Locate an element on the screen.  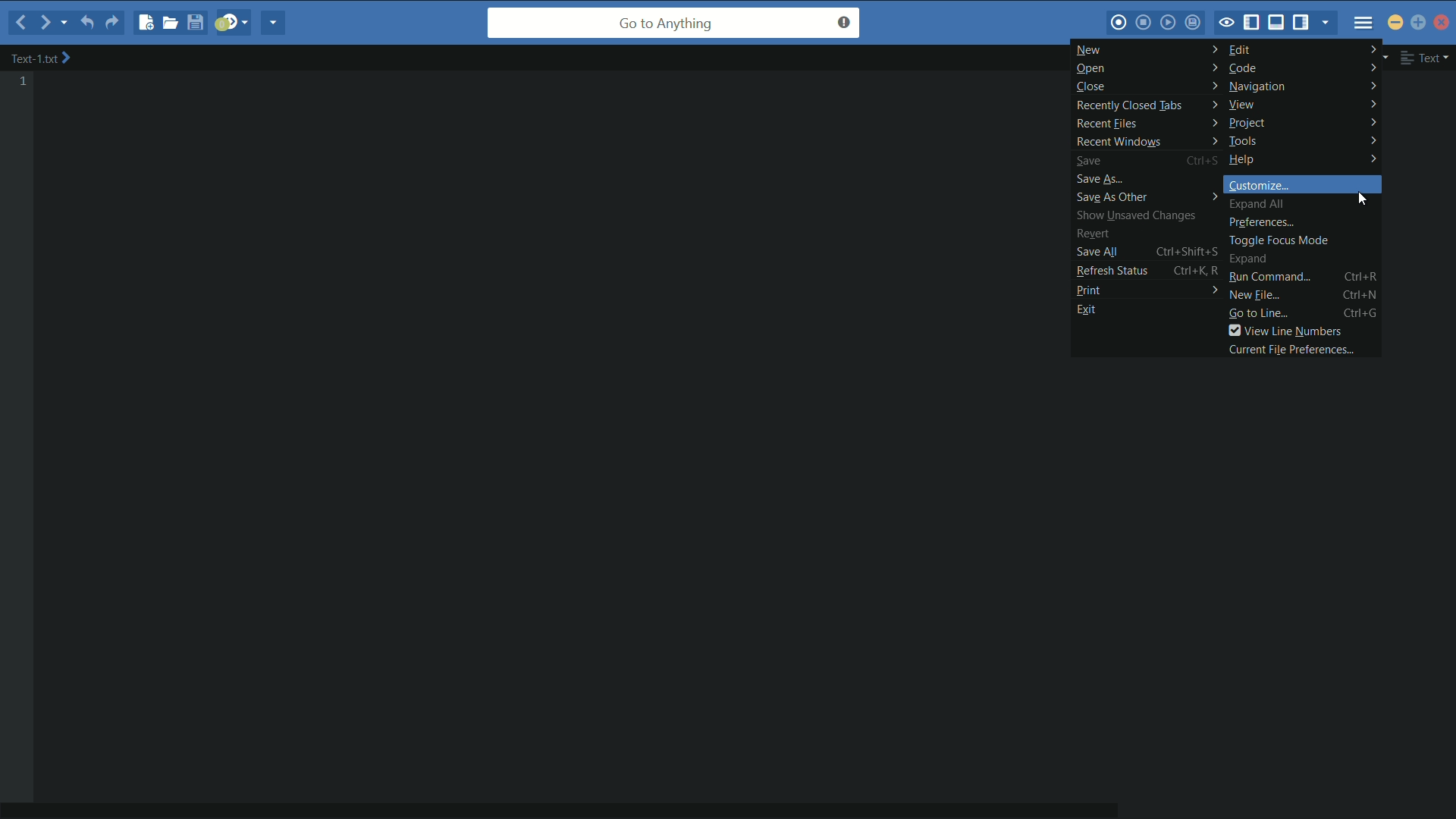
recently closed tabs is located at coordinates (1147, 105).